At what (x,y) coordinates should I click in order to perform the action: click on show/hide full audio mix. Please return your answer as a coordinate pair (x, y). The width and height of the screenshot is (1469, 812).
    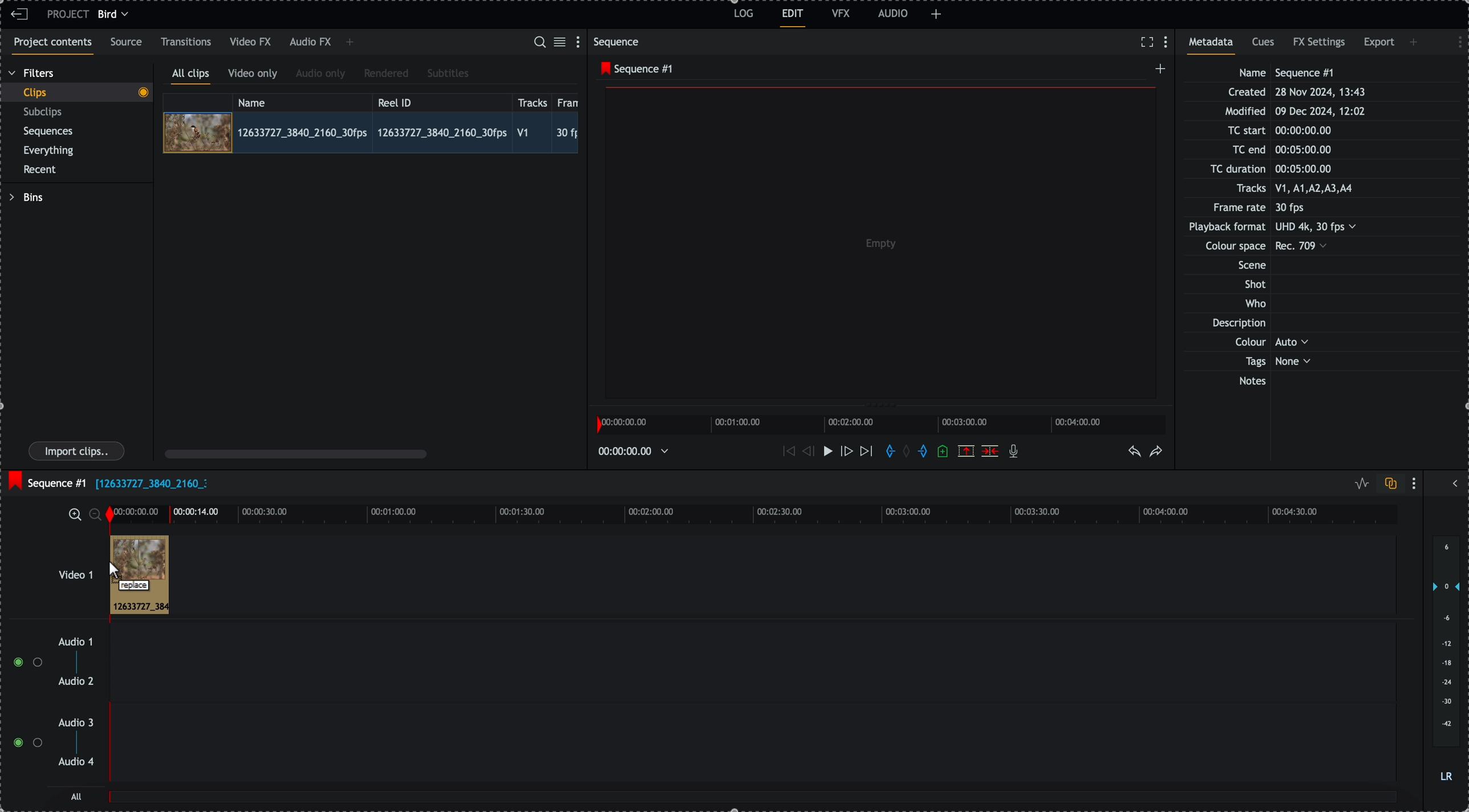
    Looking at the image, I should click on (1454, 482).